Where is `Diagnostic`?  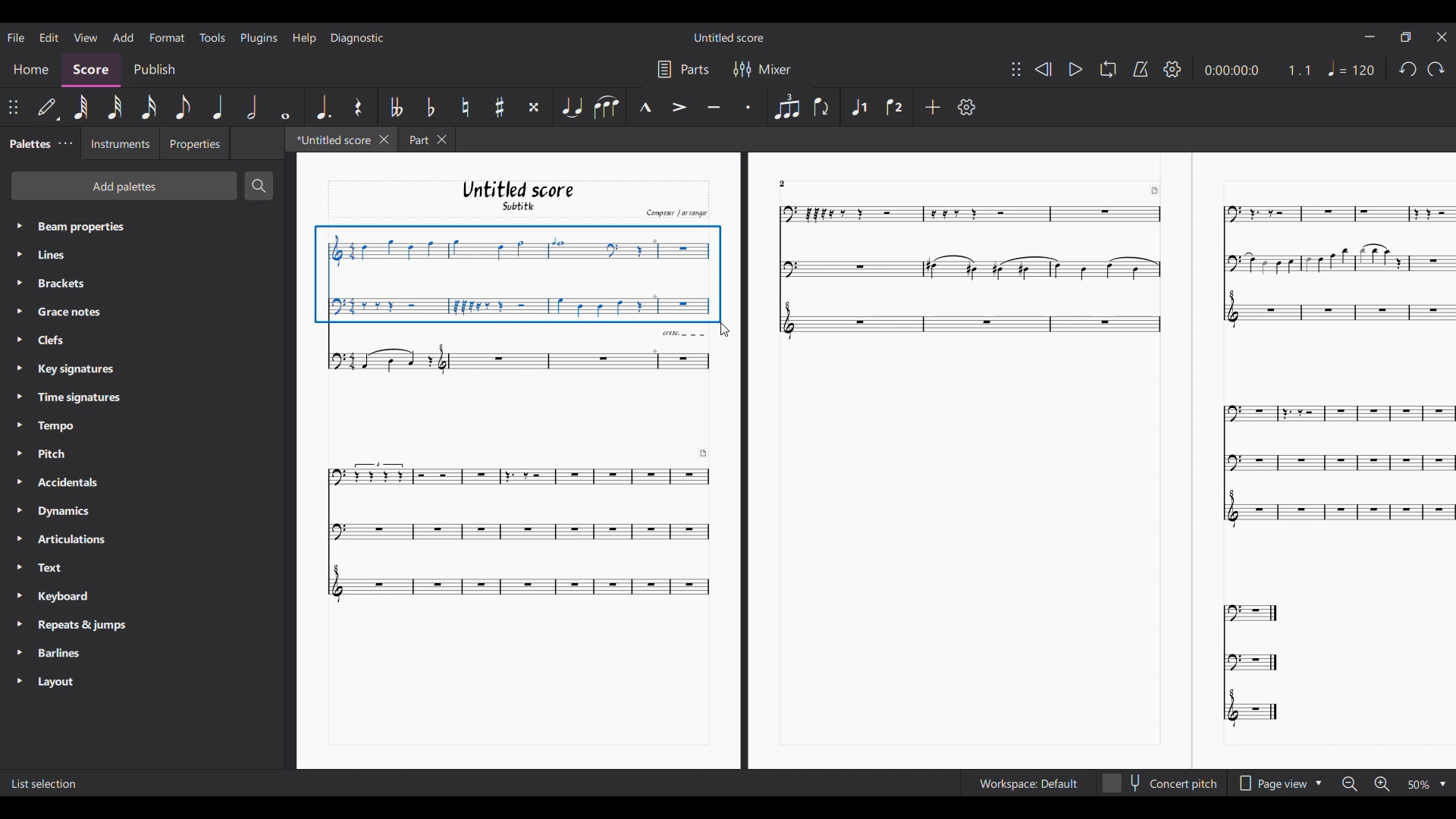
Diagnostic is located at coordinates (357, 38).